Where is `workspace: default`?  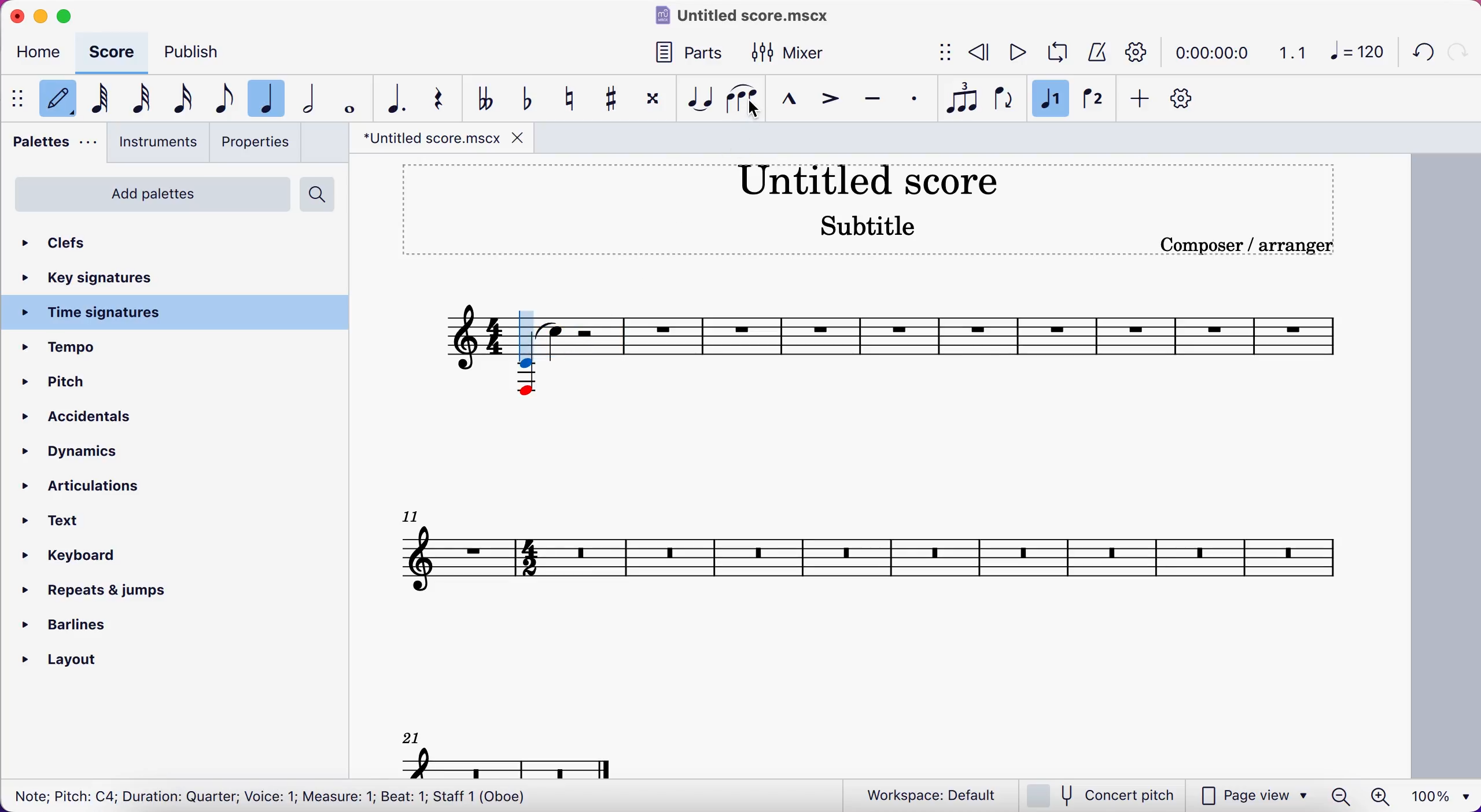 workspace: default is located at coordinates (924, 794).